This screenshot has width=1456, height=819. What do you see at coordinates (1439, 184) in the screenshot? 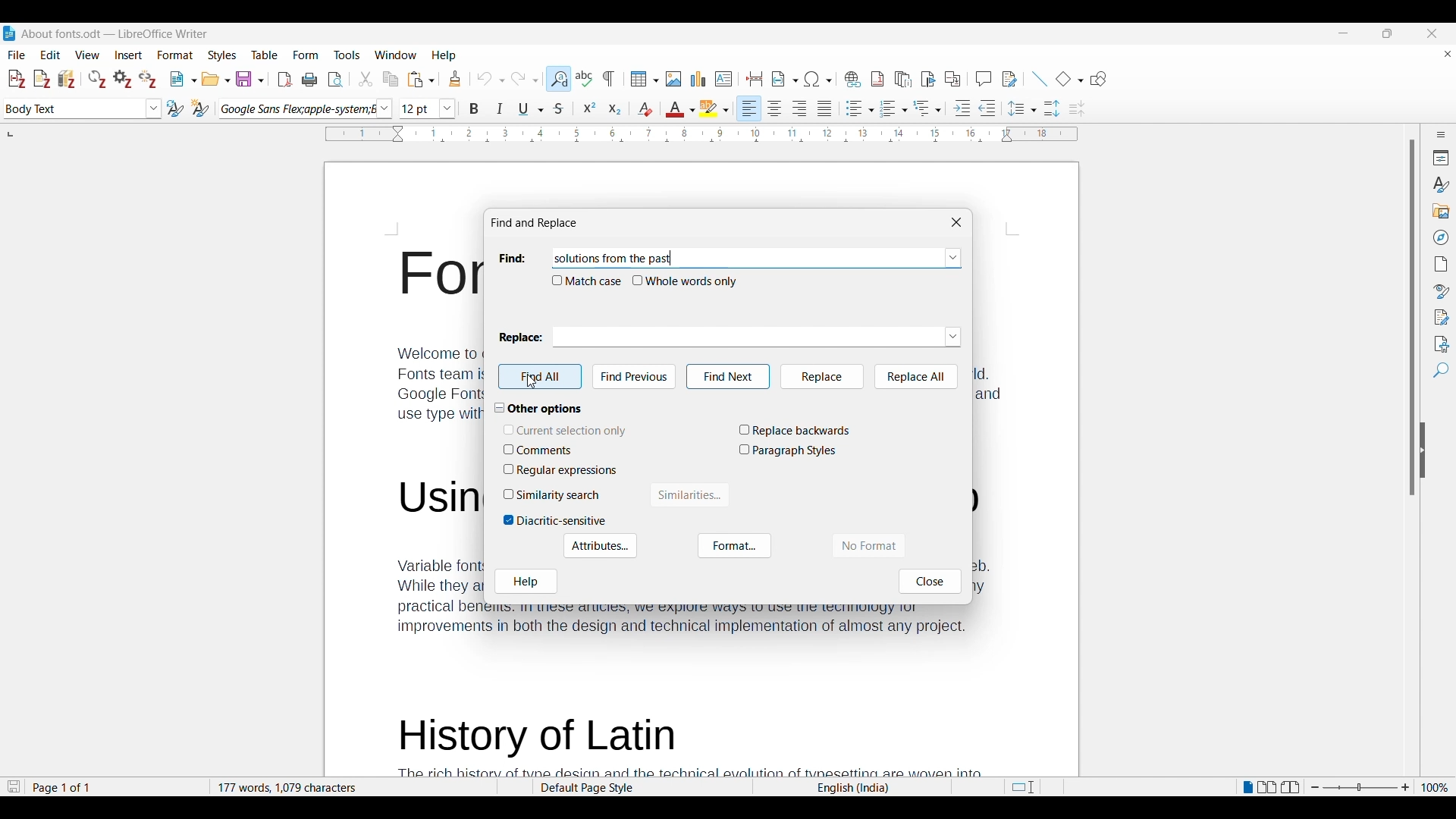
I see `Styles` at bounding box center [1439, 184].